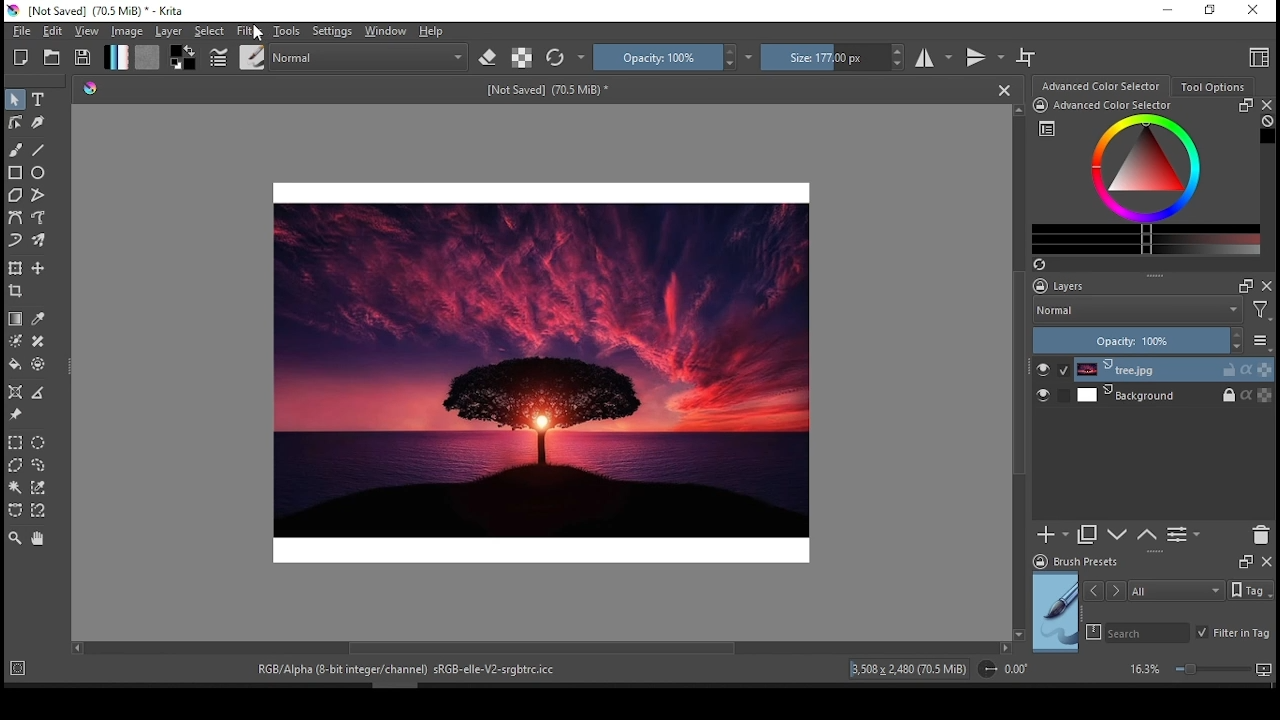  Describe the element at coordinates (212, 32) in the screenshot. I see `select` at that location.